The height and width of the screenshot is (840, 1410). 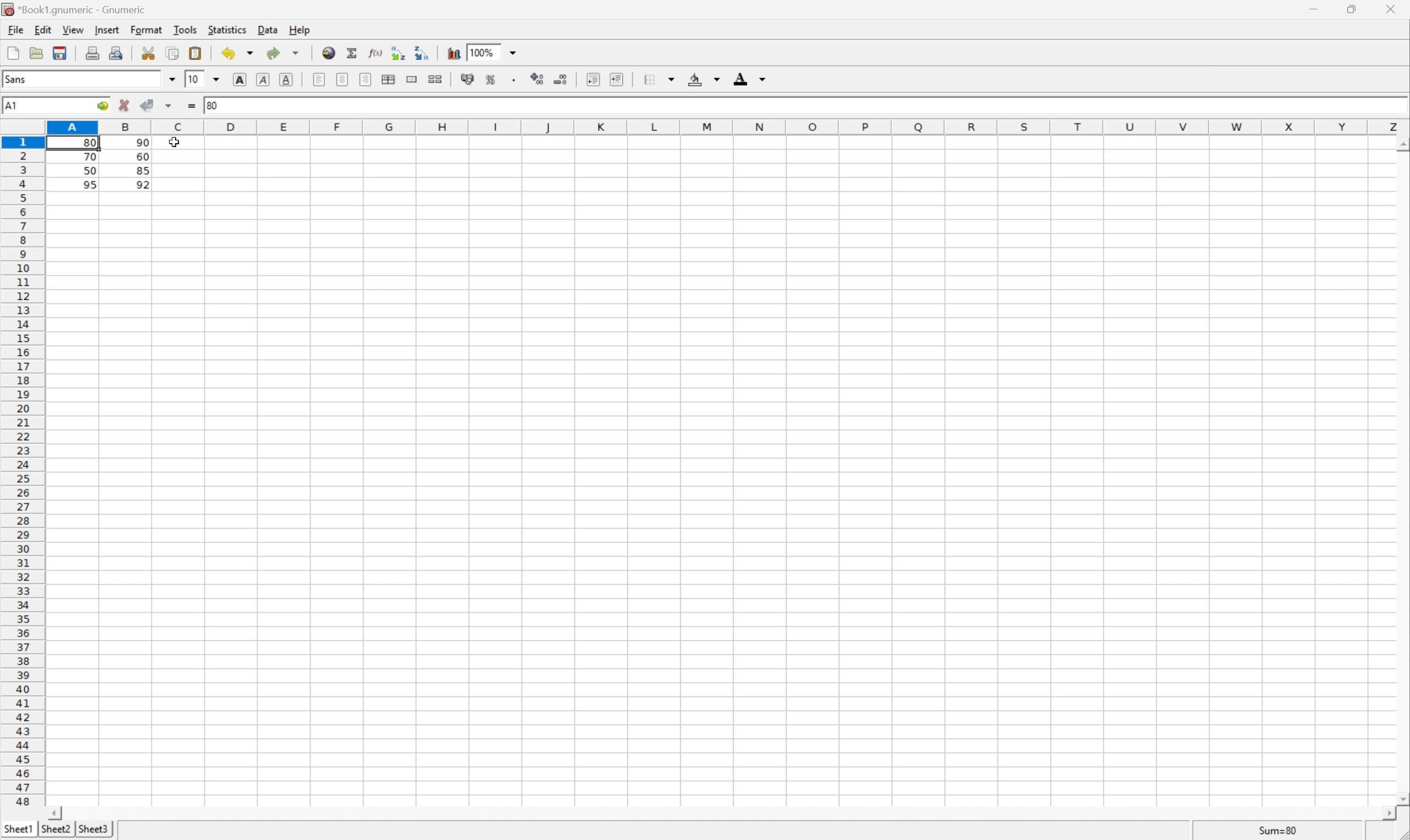 What do you see at coordinates (143, 184) in the screenshot?
I see `92` at bounding box center [143, 184].